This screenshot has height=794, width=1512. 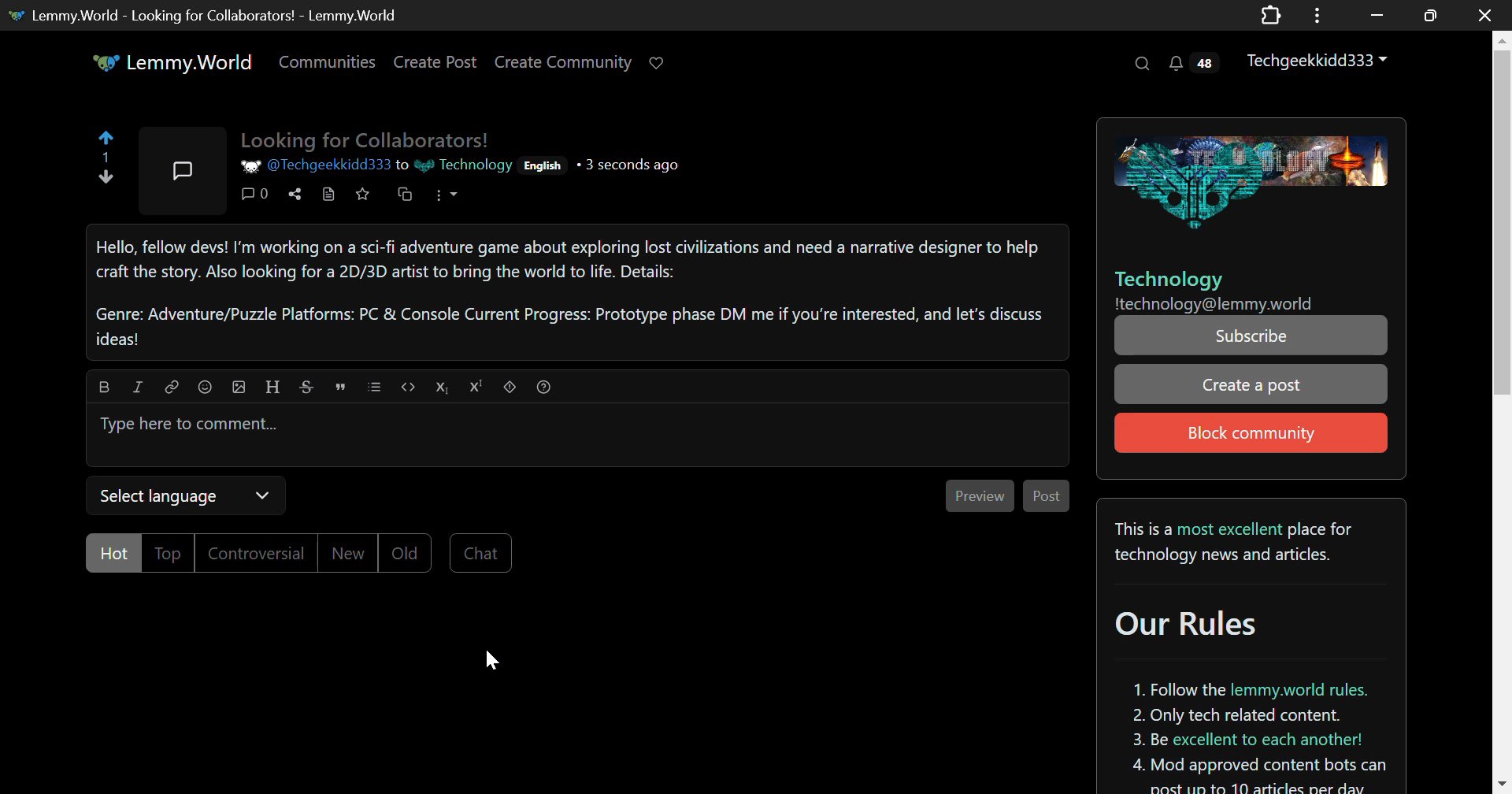 What do you see at coordinates (543, 384) in the screenshot?
I see `formatting help` at bounding box center [543, 384].